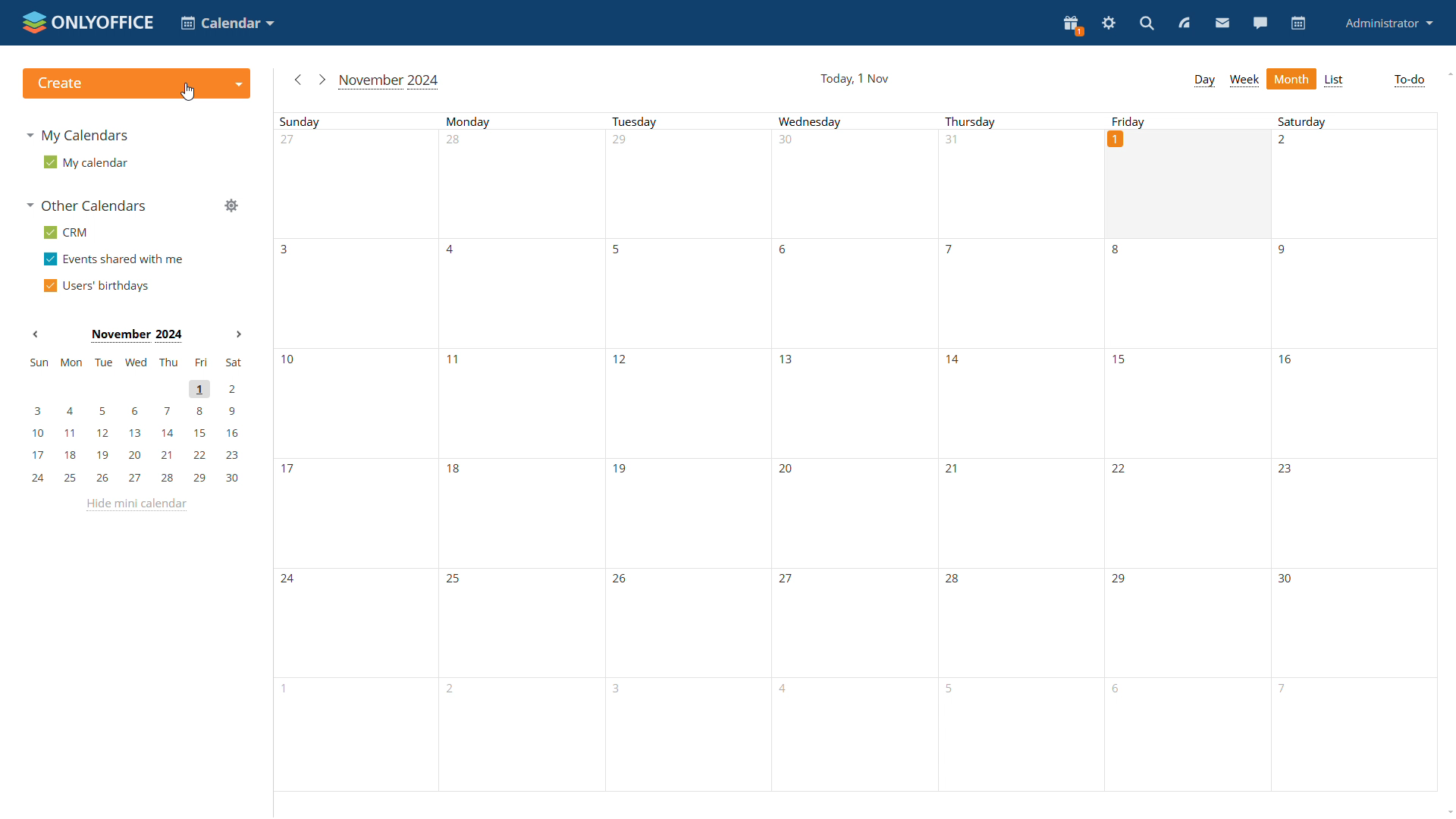 Image resolution: width=1456 pixels, height=819 pixels. What do you see at coordinates (90, 206) in the screenshot?
I see `other calendars` at bounding box center [90, 206].